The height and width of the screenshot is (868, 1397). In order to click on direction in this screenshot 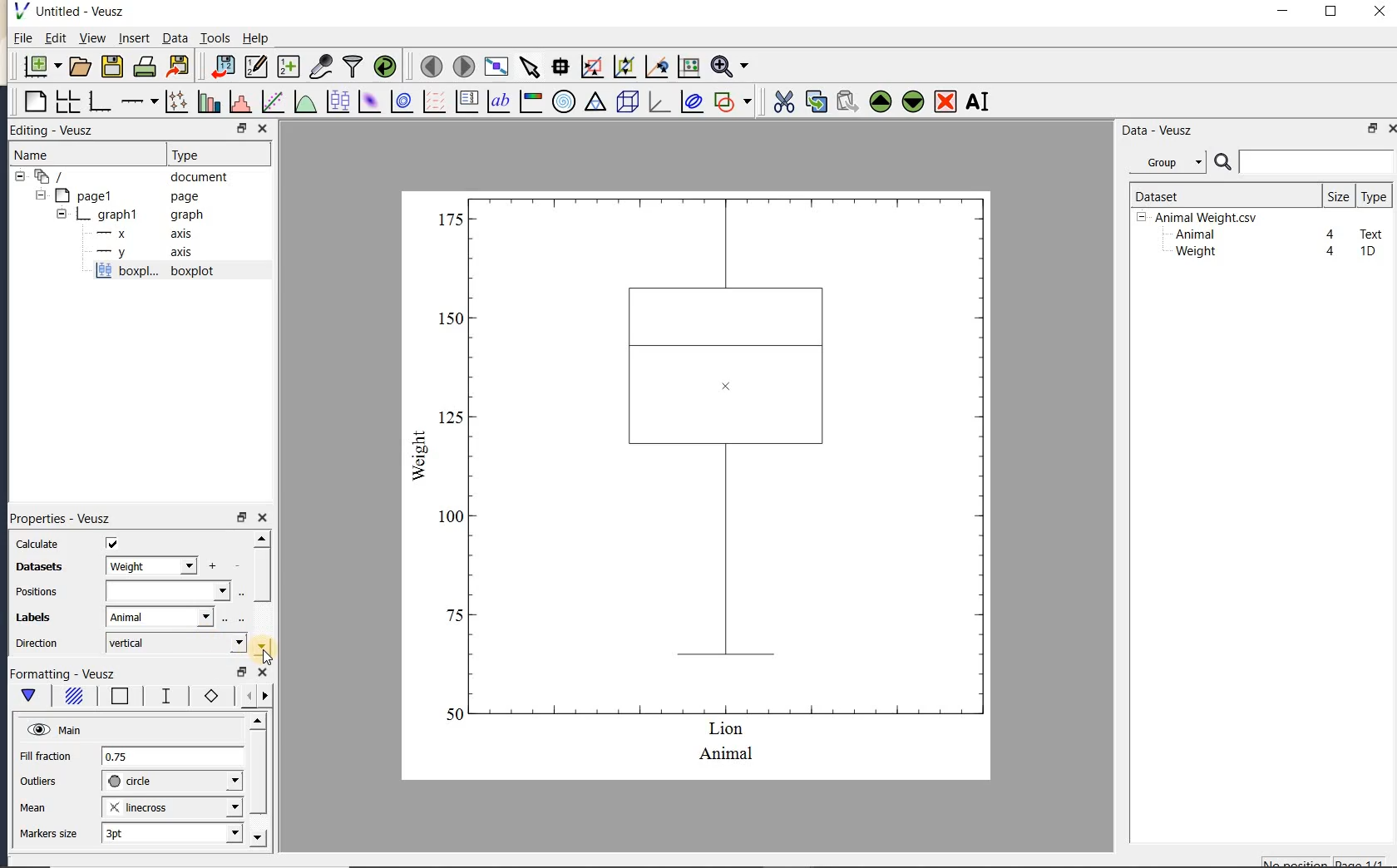, I will do `click(39, 643)`.